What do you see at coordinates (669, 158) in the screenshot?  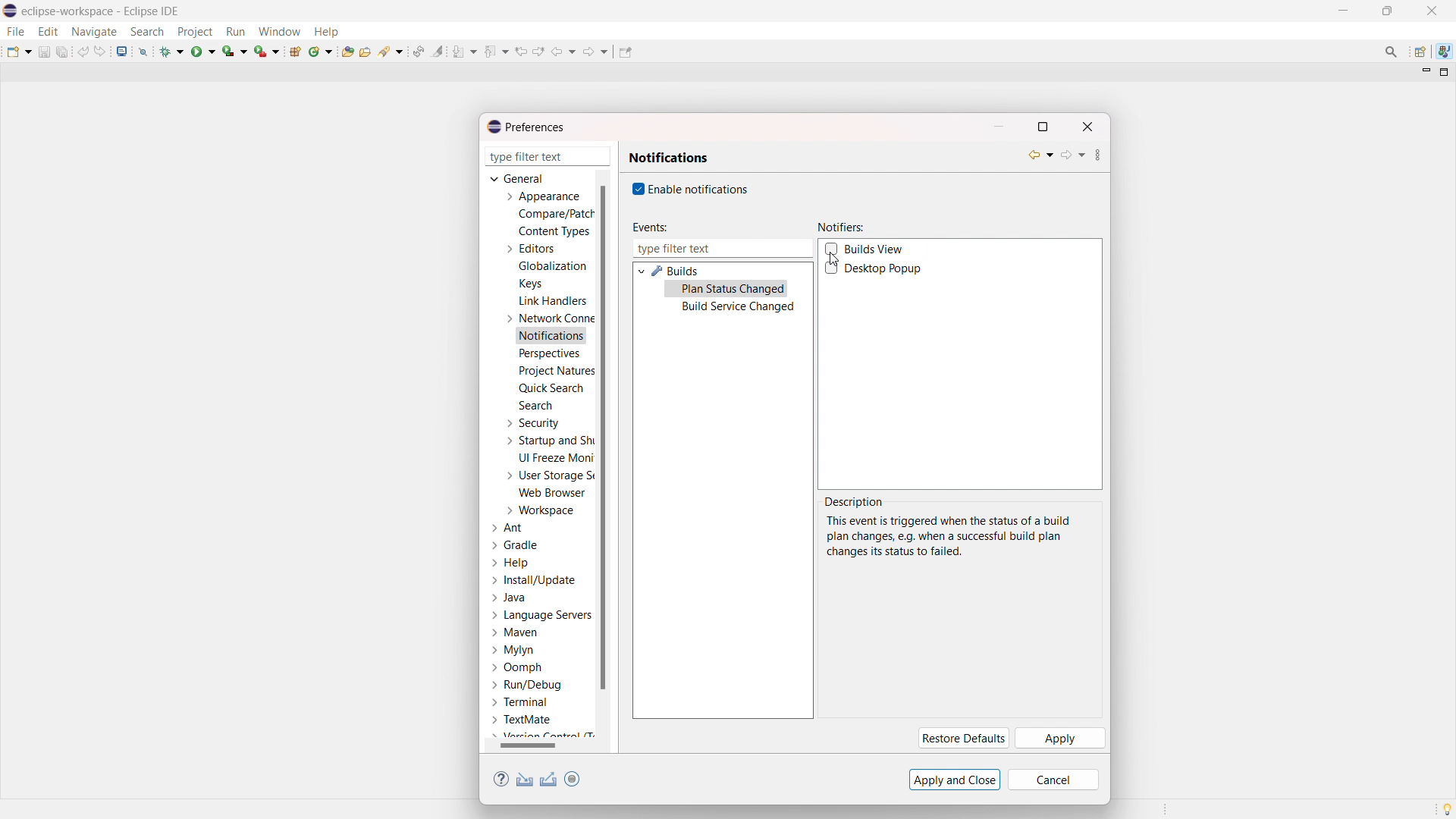 I see `notifications` at bounding box center [669, 158].